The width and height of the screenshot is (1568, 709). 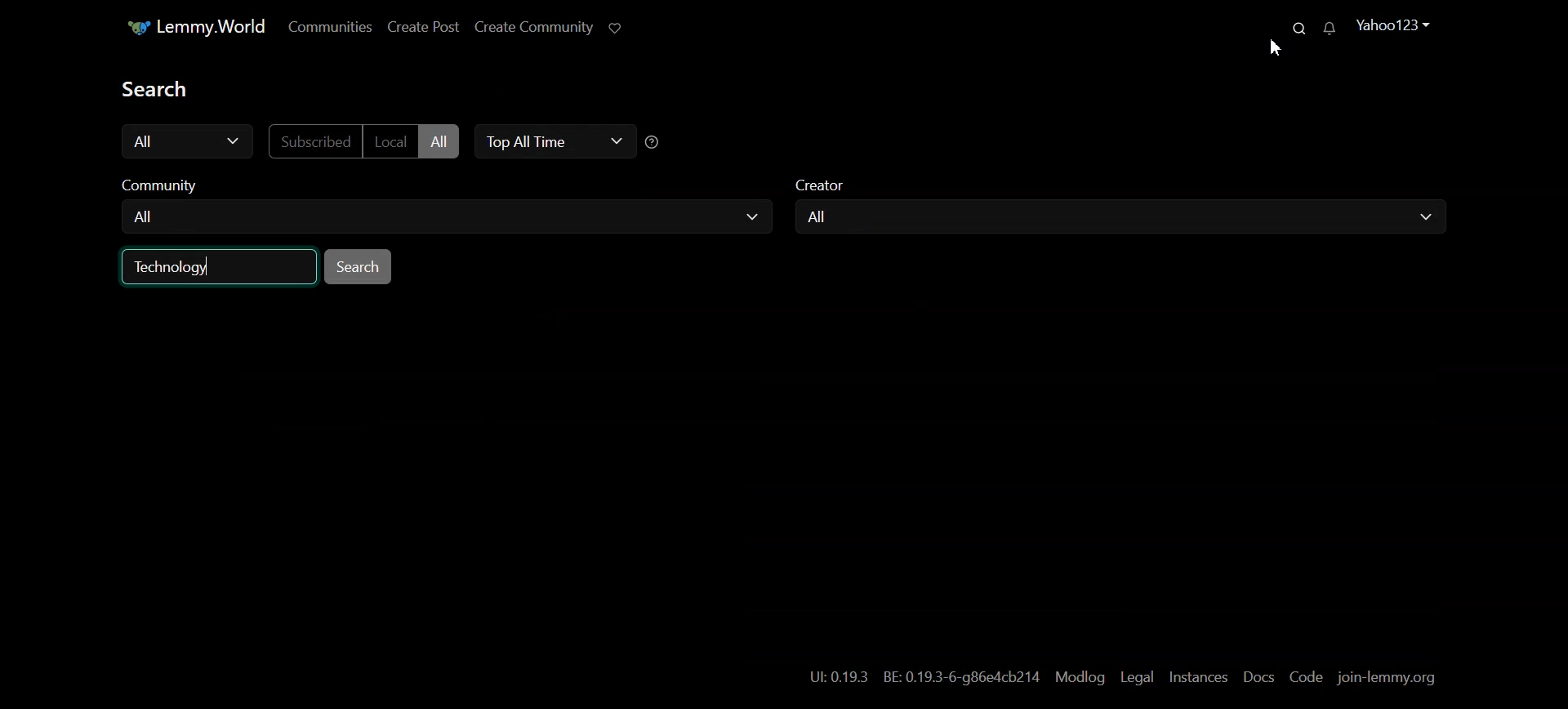 I want to click on Create Post, so click(x=423, y=27).